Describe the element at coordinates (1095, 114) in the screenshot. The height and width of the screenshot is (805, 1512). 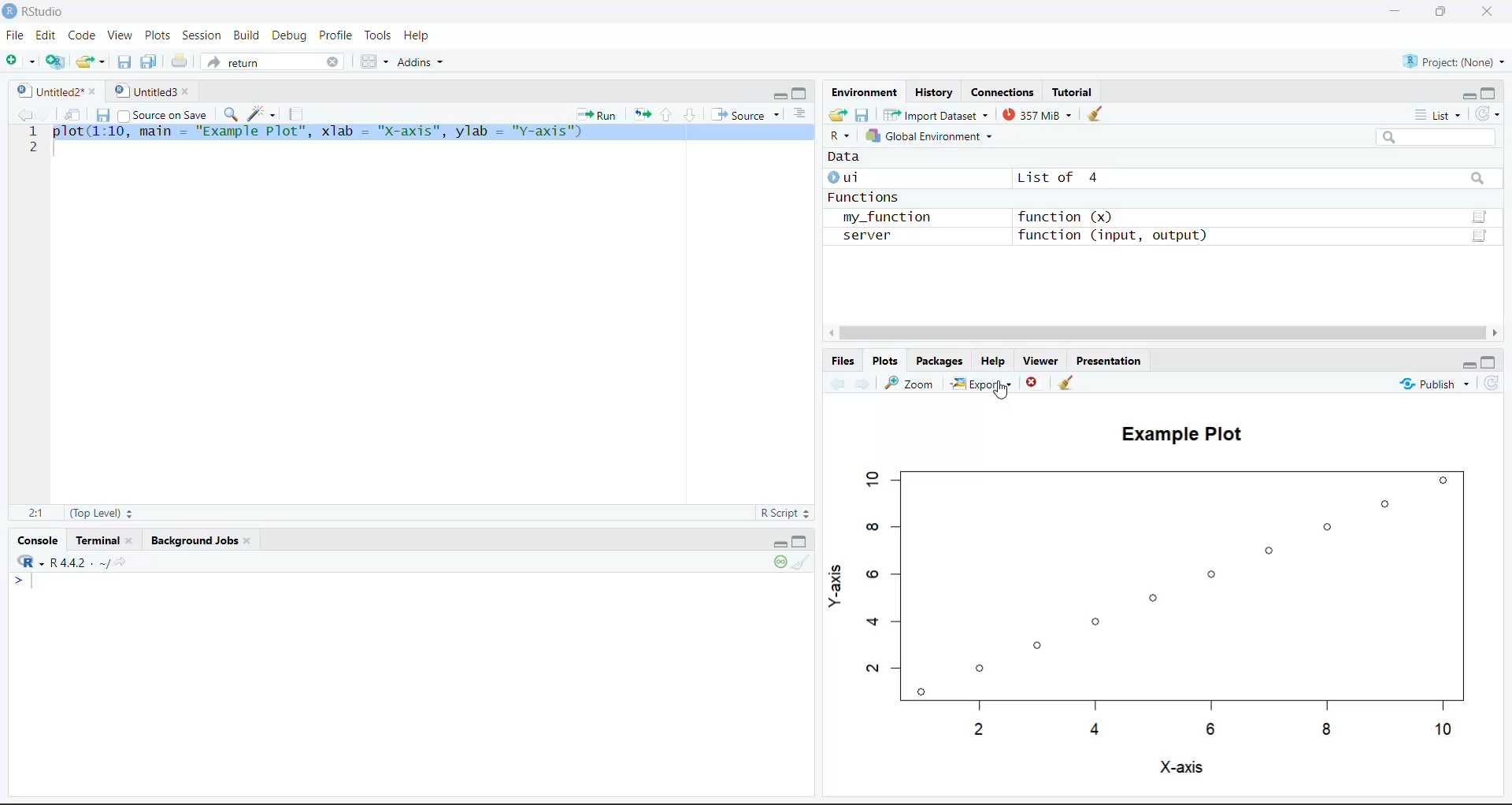
I see `Clear console (Ctrl + L)` at that location.